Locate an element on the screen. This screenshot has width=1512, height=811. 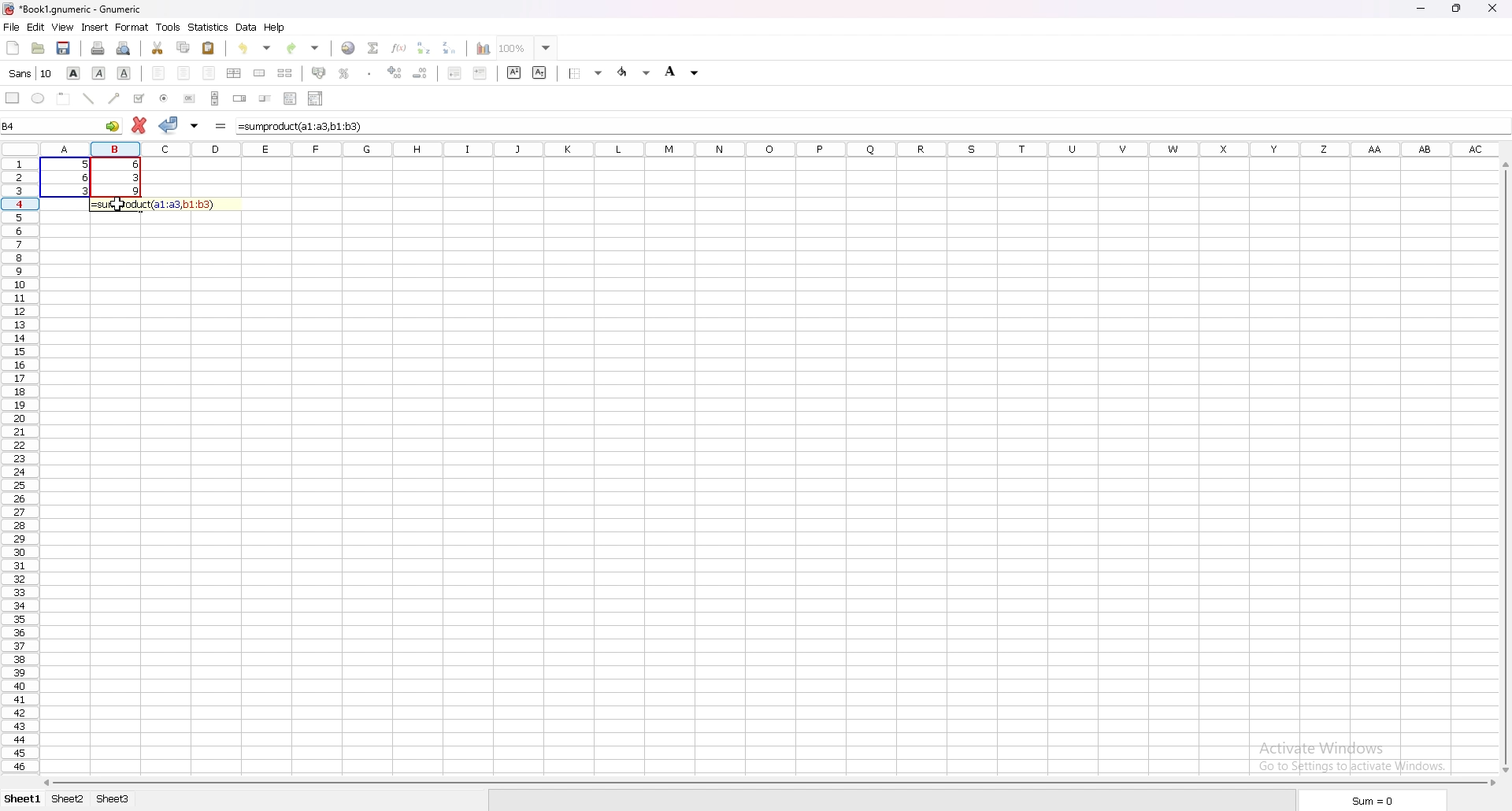
close is located at coordinates (1492, 7).